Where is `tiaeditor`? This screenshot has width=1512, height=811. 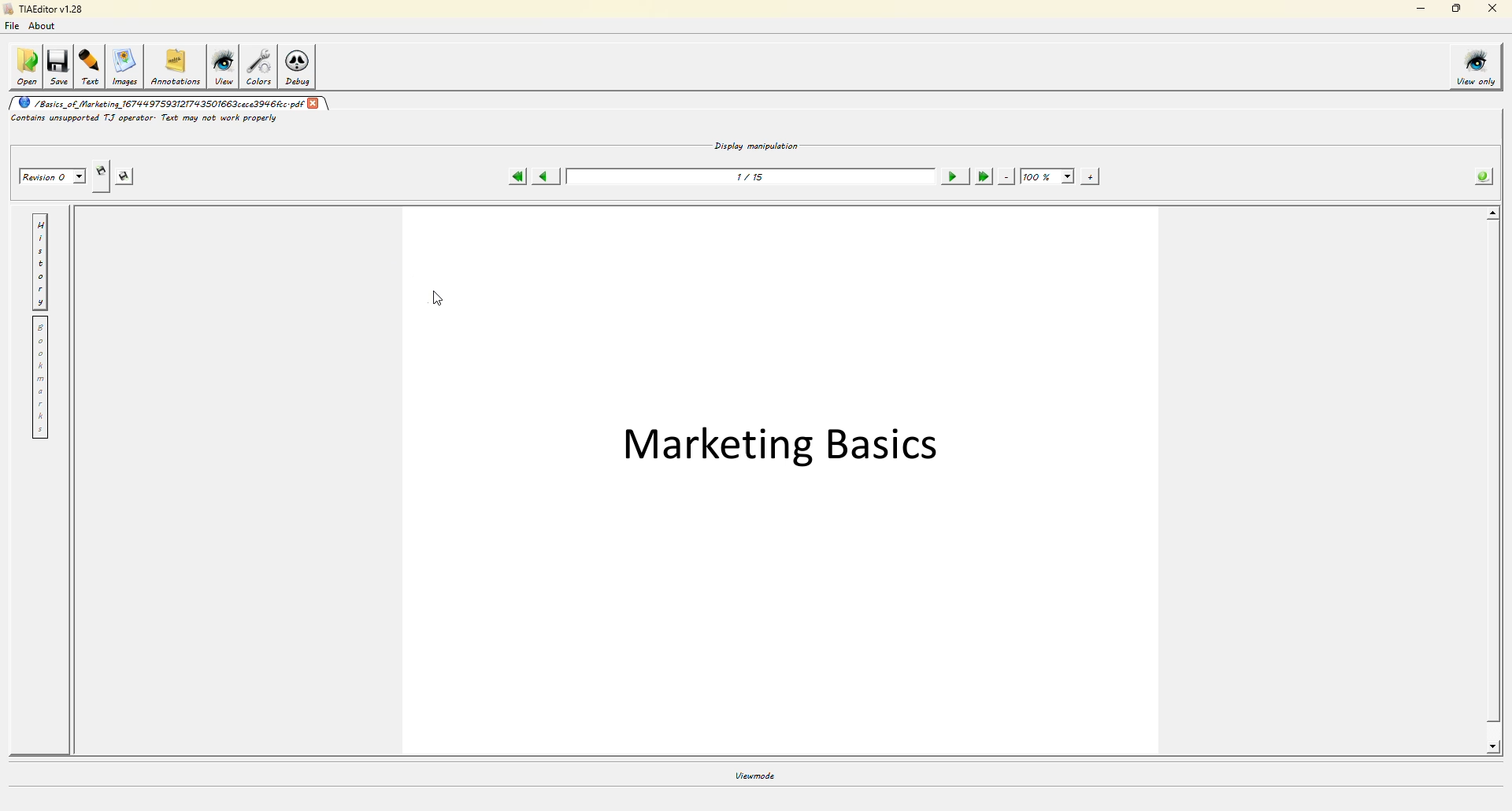 tiaeditor is located at coordinates (45, 10).